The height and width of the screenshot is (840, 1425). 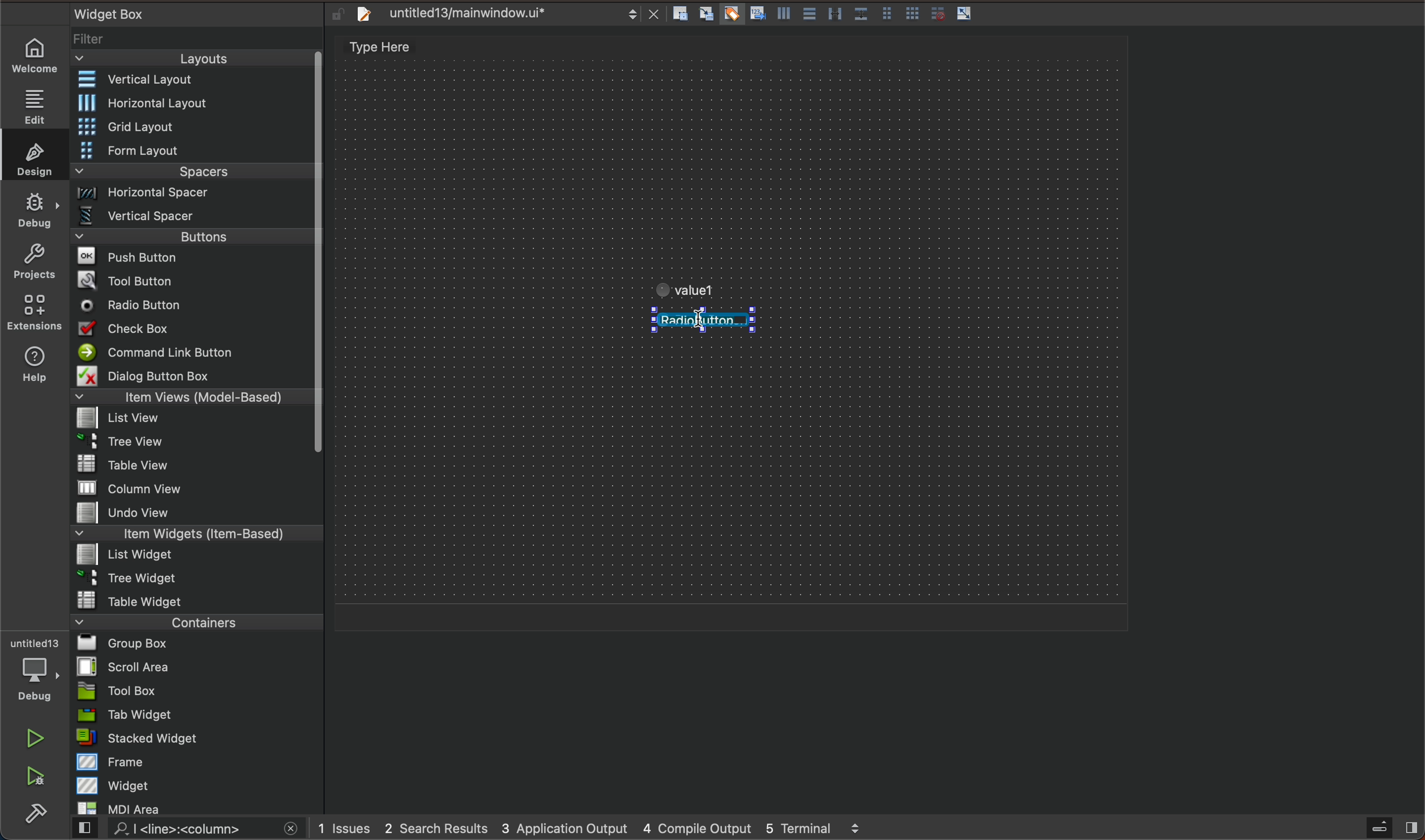 What do you see at coordinates (192, 331) in the screenshot?
I see `check box` at bounding box center [192, 331].